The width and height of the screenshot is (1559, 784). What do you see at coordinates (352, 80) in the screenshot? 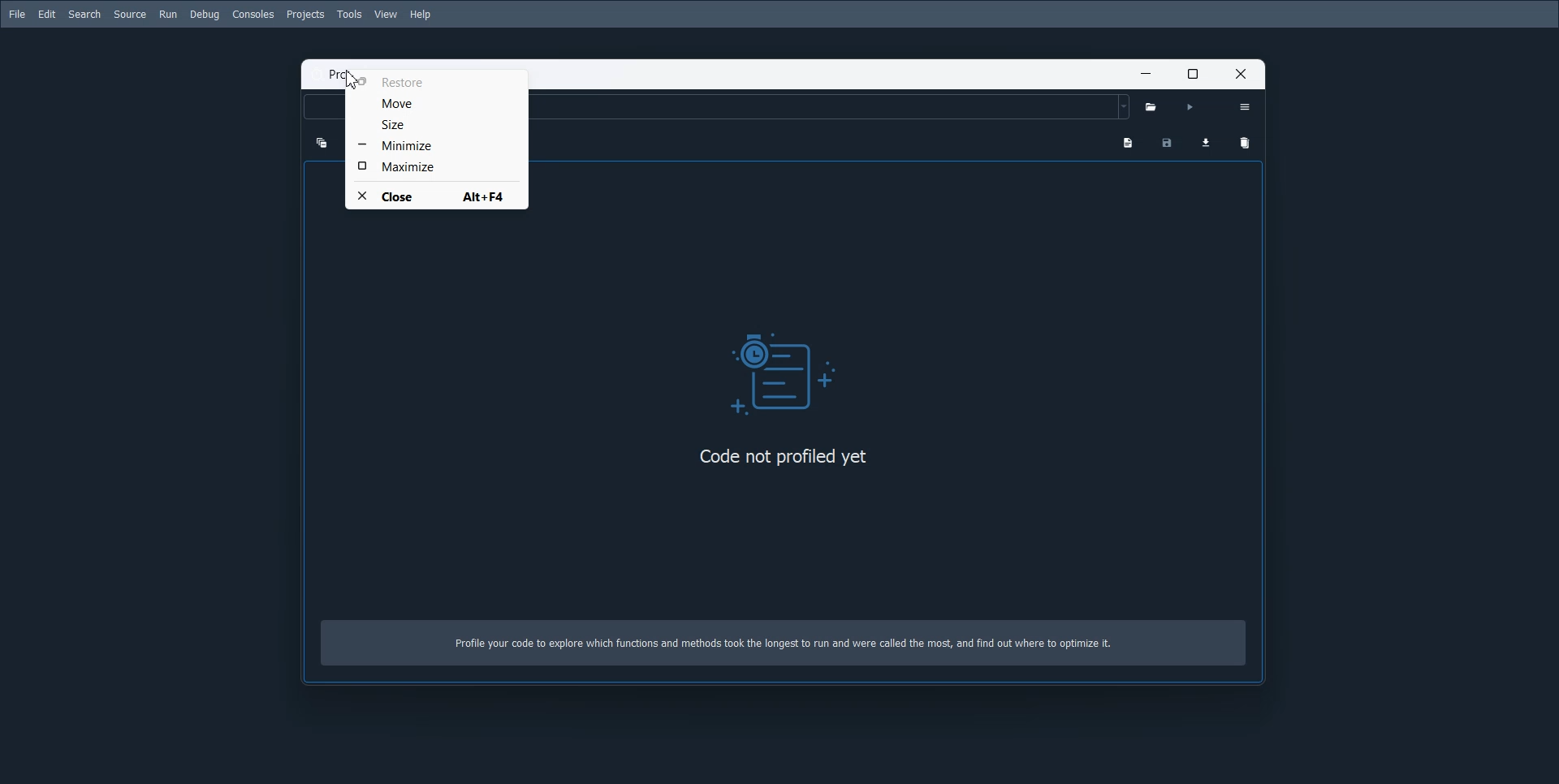
I see `cursor` at bounding box center [352, 80].